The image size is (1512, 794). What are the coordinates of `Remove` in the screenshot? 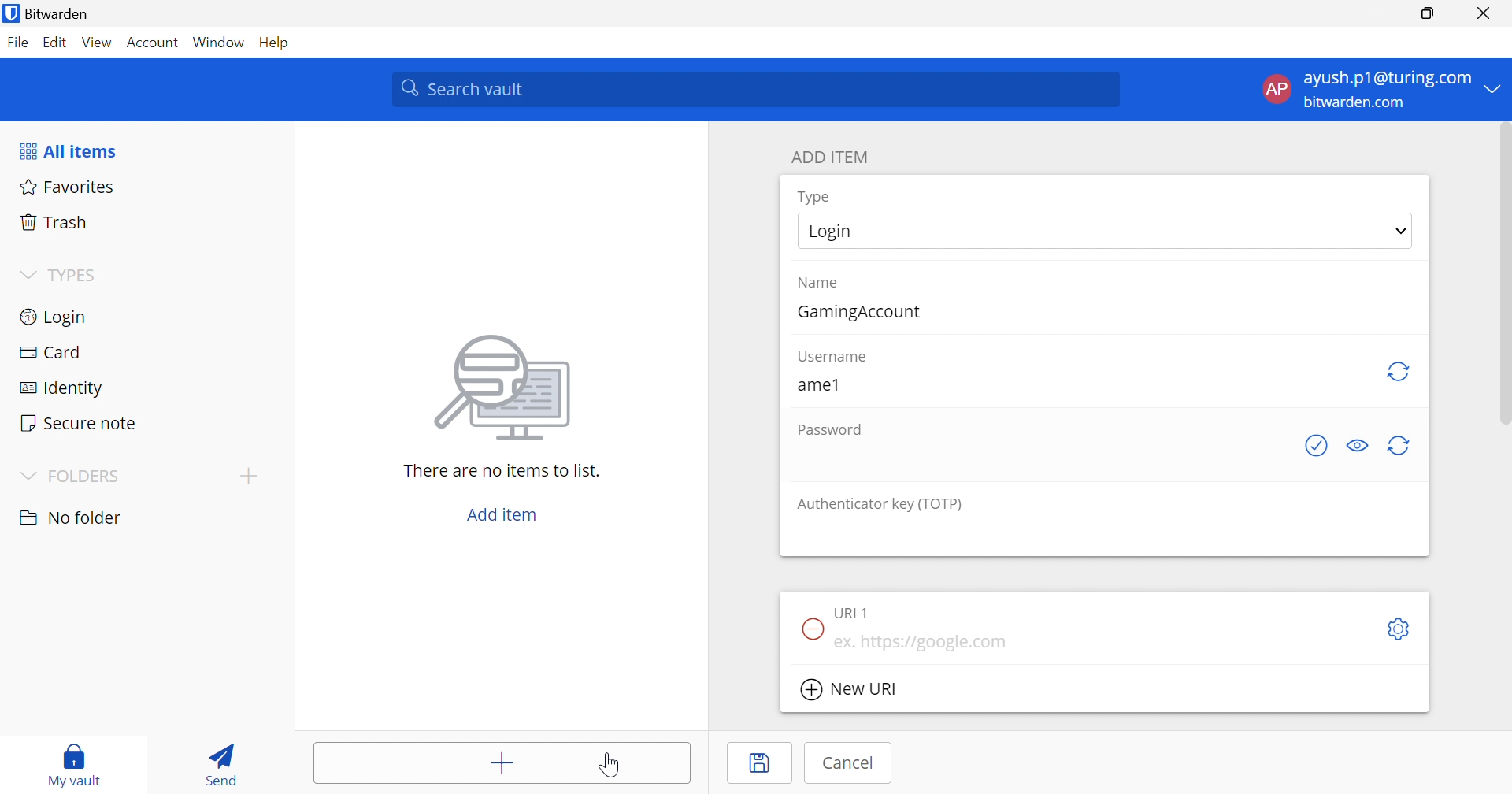 It's located at (810, 627).